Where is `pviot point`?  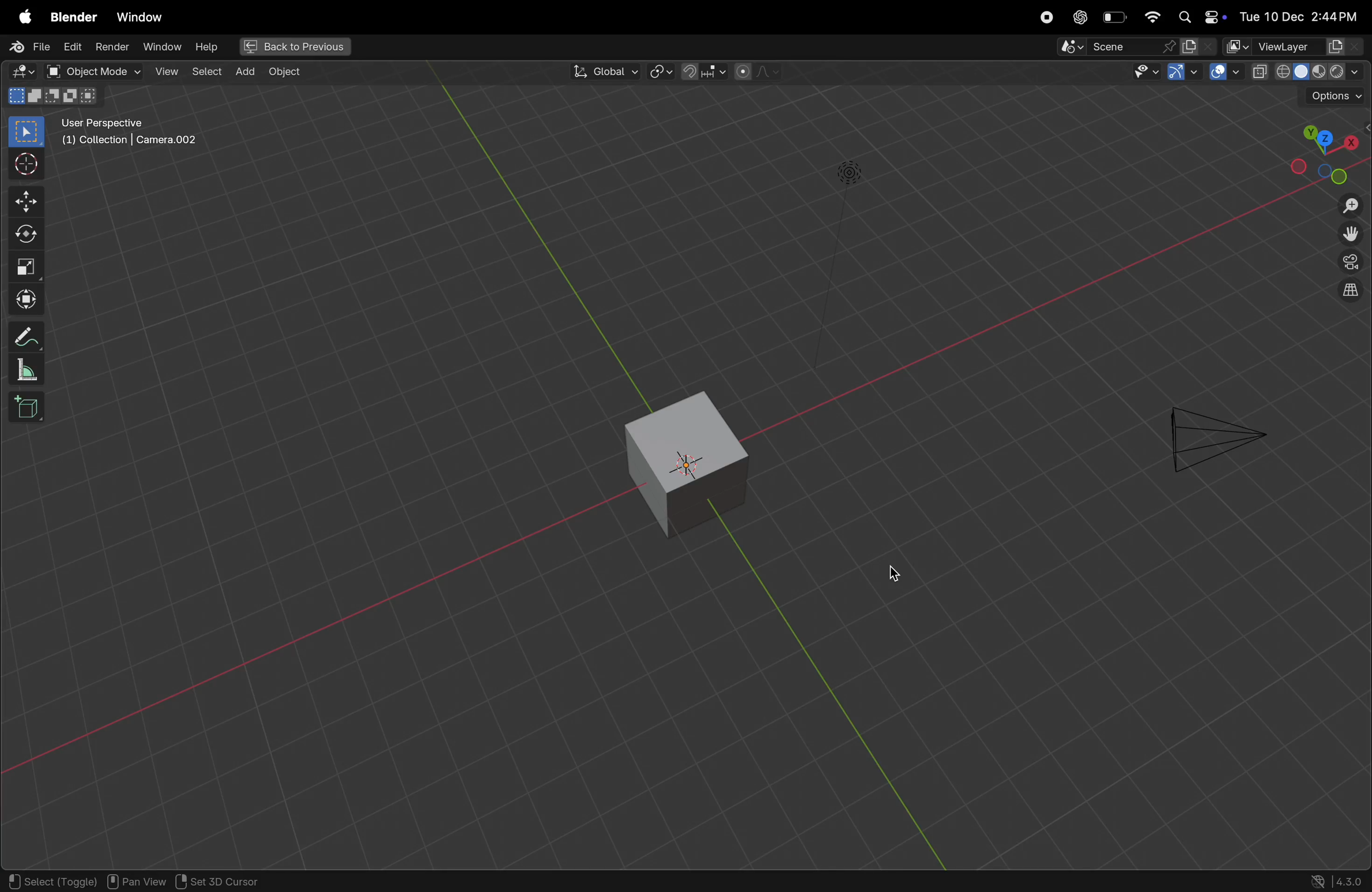 pviot point is located at coordinates (658, 73).